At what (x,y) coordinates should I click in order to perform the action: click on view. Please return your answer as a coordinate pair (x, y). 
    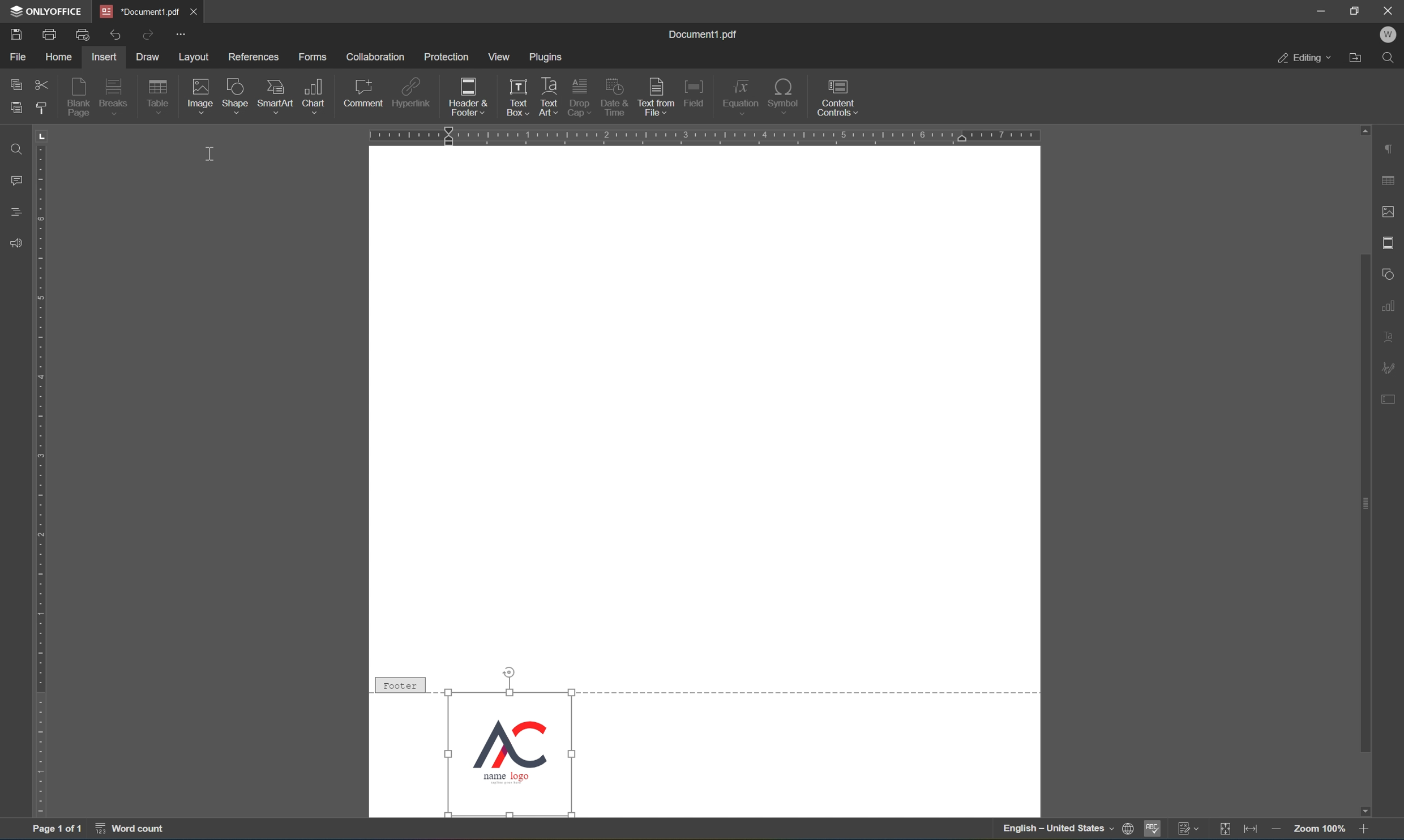
    Looking at the image, I should click on (496, 57).